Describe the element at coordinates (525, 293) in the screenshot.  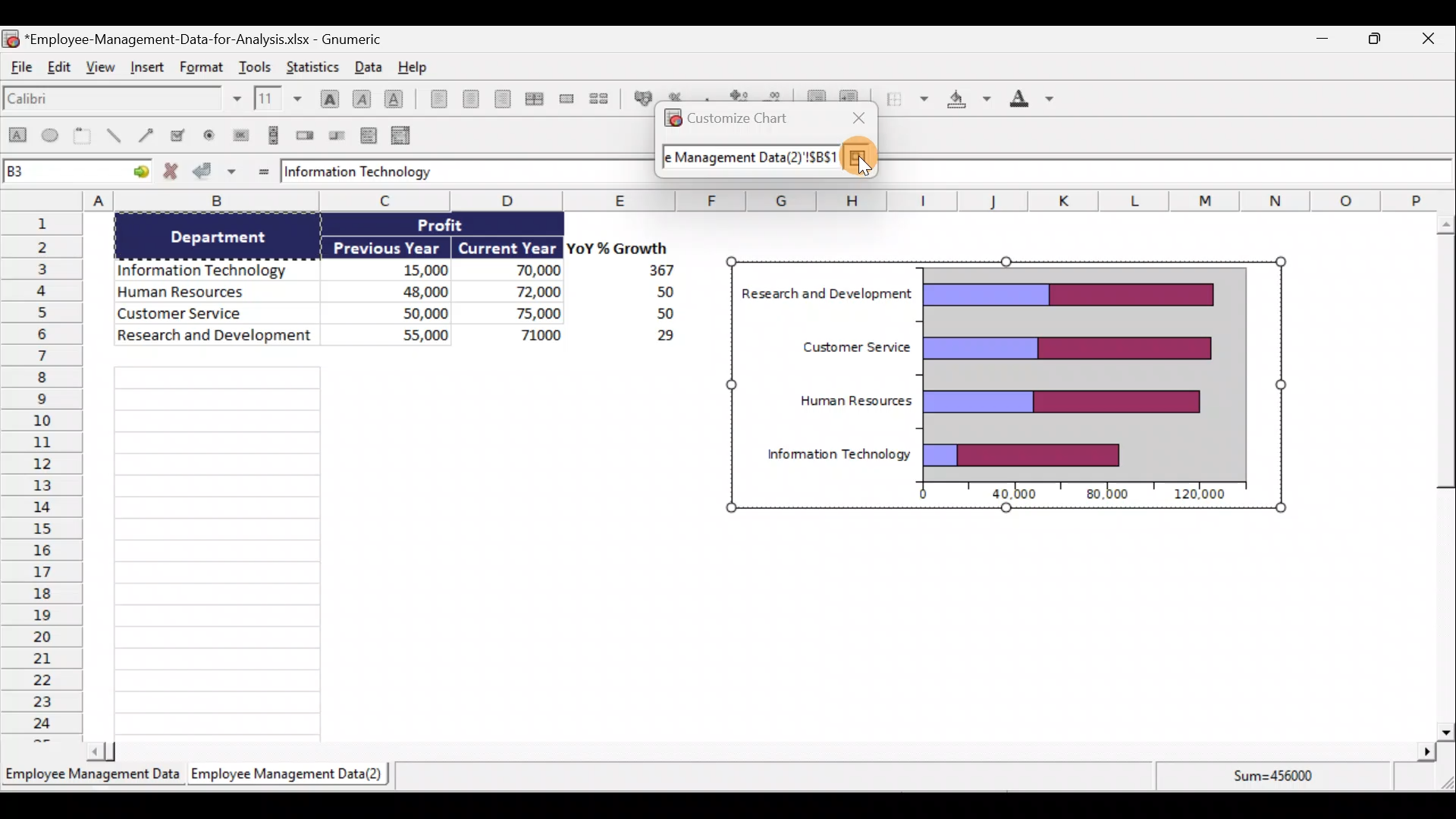
I see `72,000` at that location.